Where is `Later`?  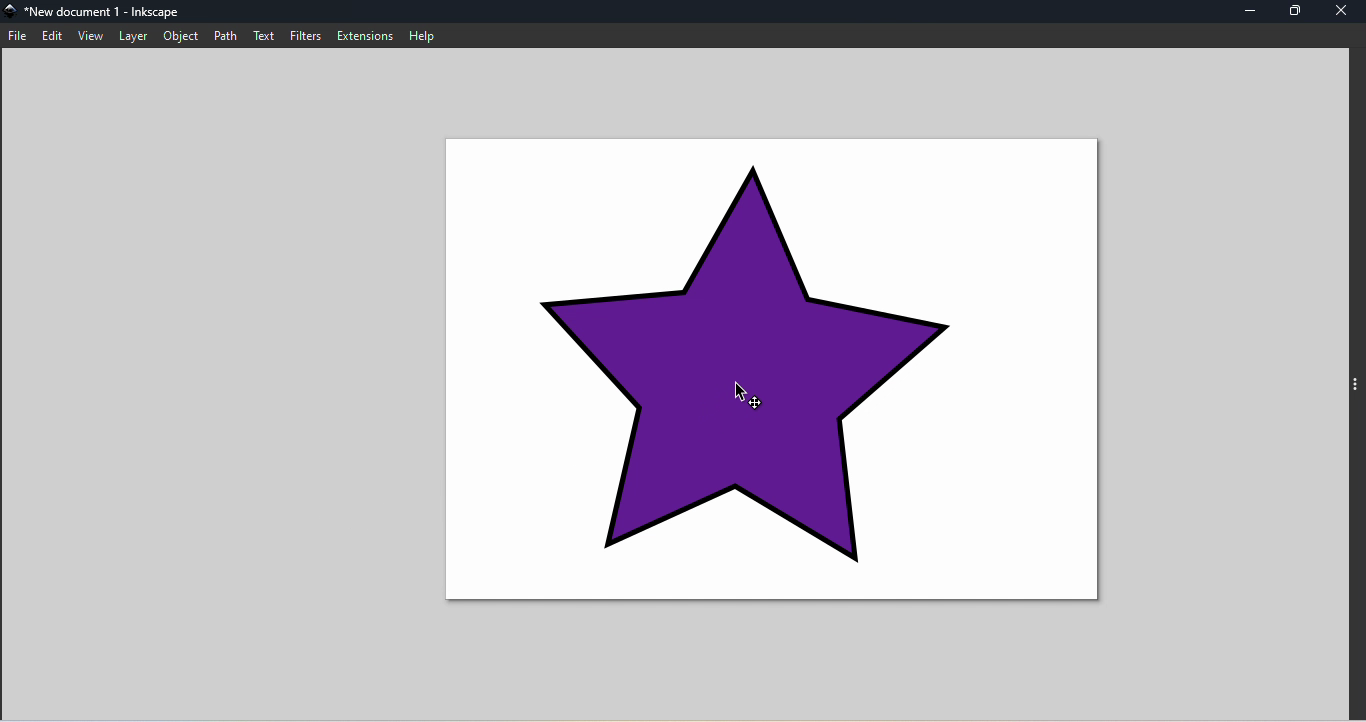 Later is located at coordinates (130, 36).